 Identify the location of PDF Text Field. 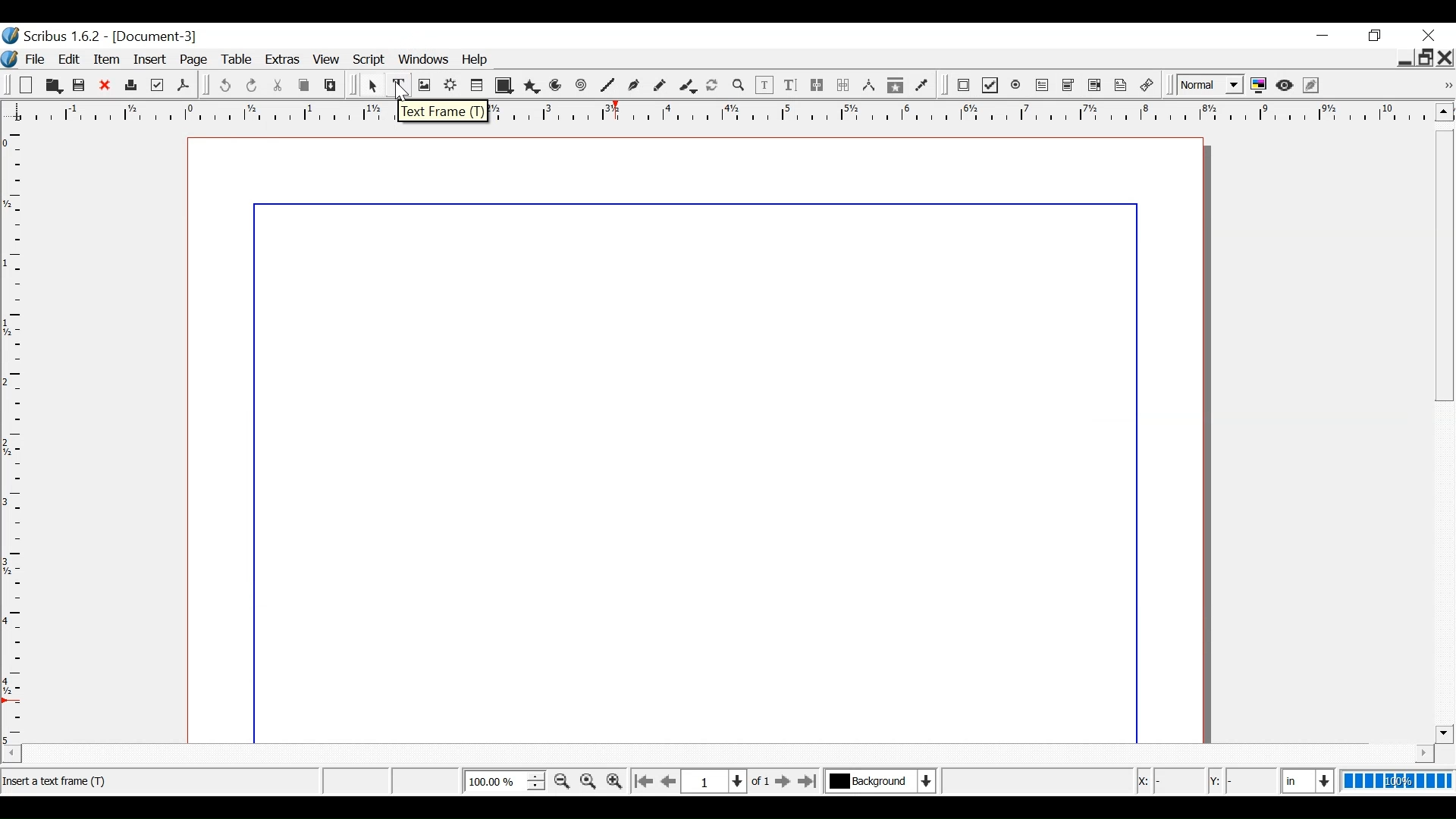
(1043, 86).